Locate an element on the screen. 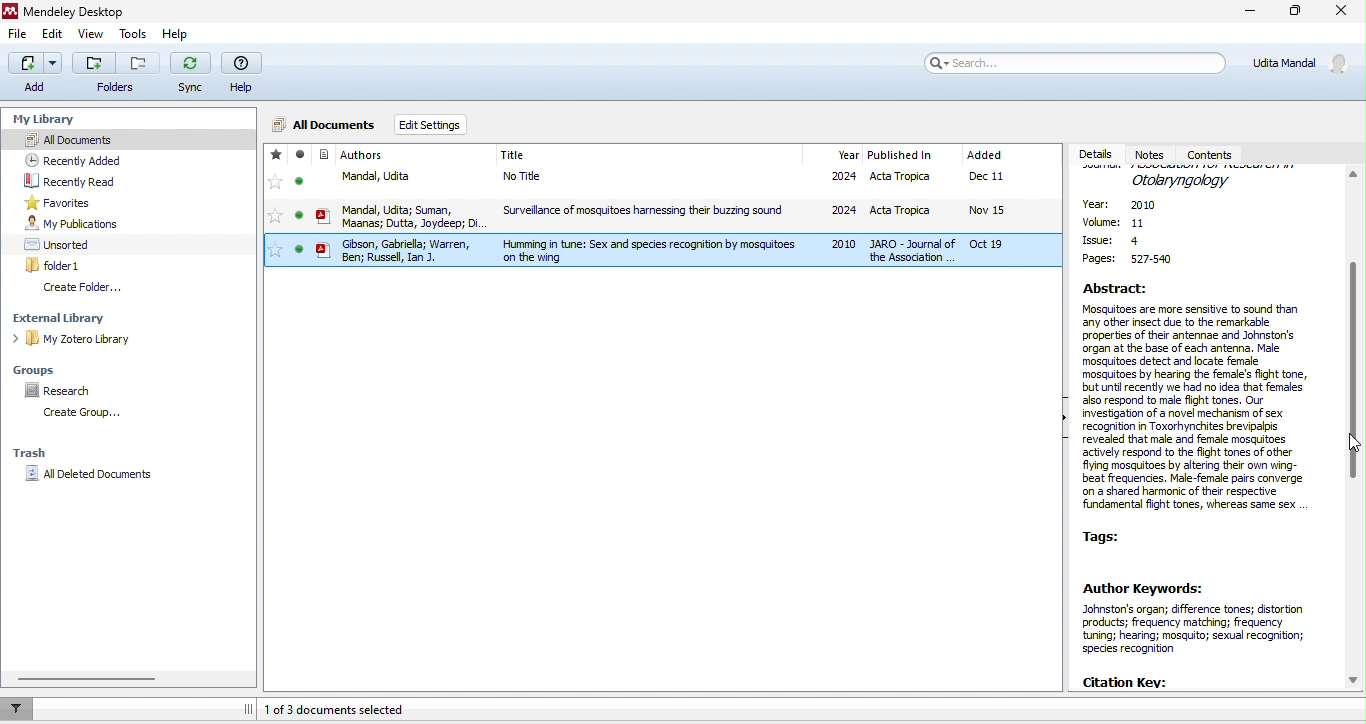 The image size is (1366, 724). view is located at coordinates (91, 36).